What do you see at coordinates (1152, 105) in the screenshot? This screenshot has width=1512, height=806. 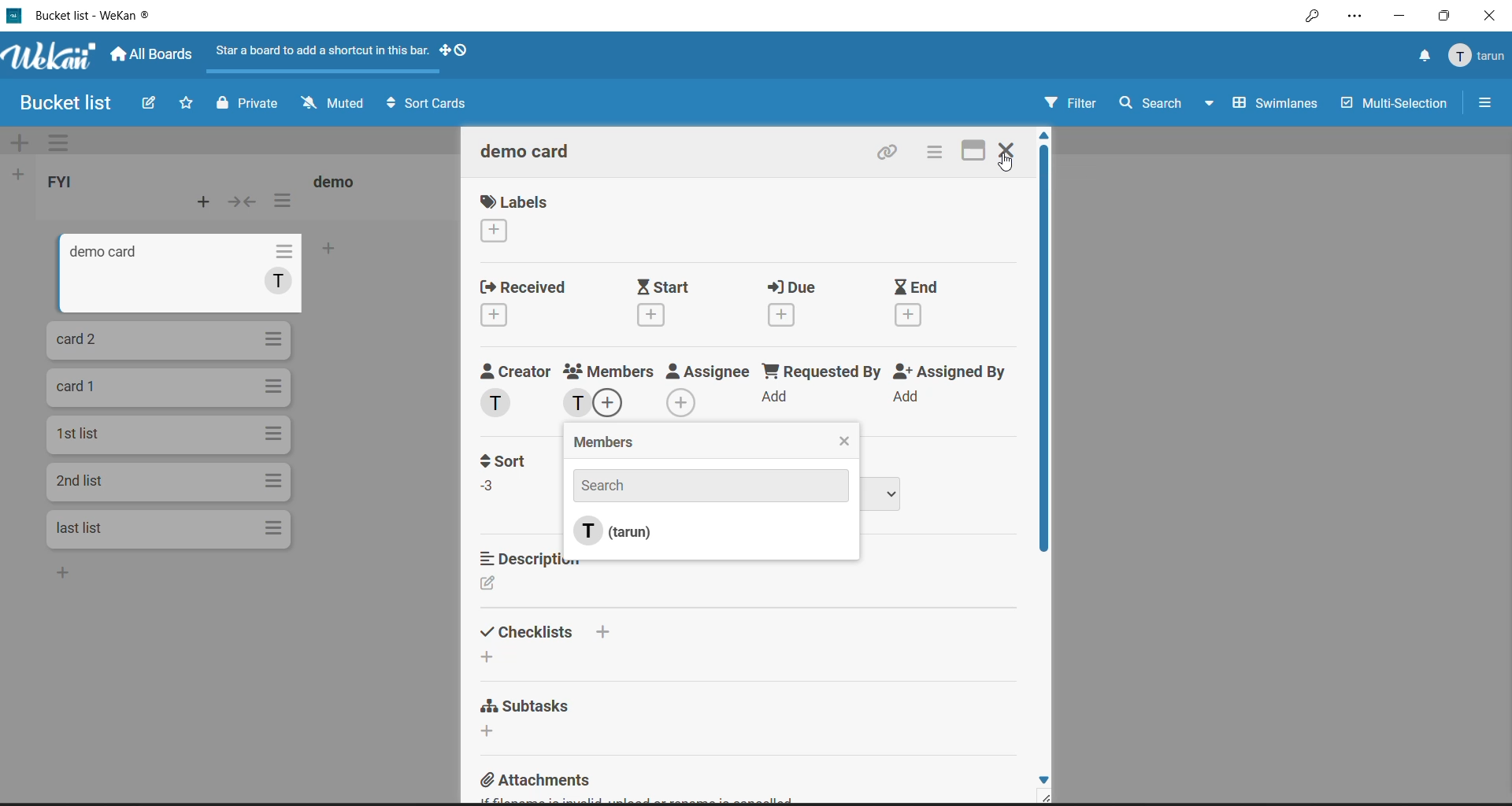 I see `search` at bounding box center [1152, 105].